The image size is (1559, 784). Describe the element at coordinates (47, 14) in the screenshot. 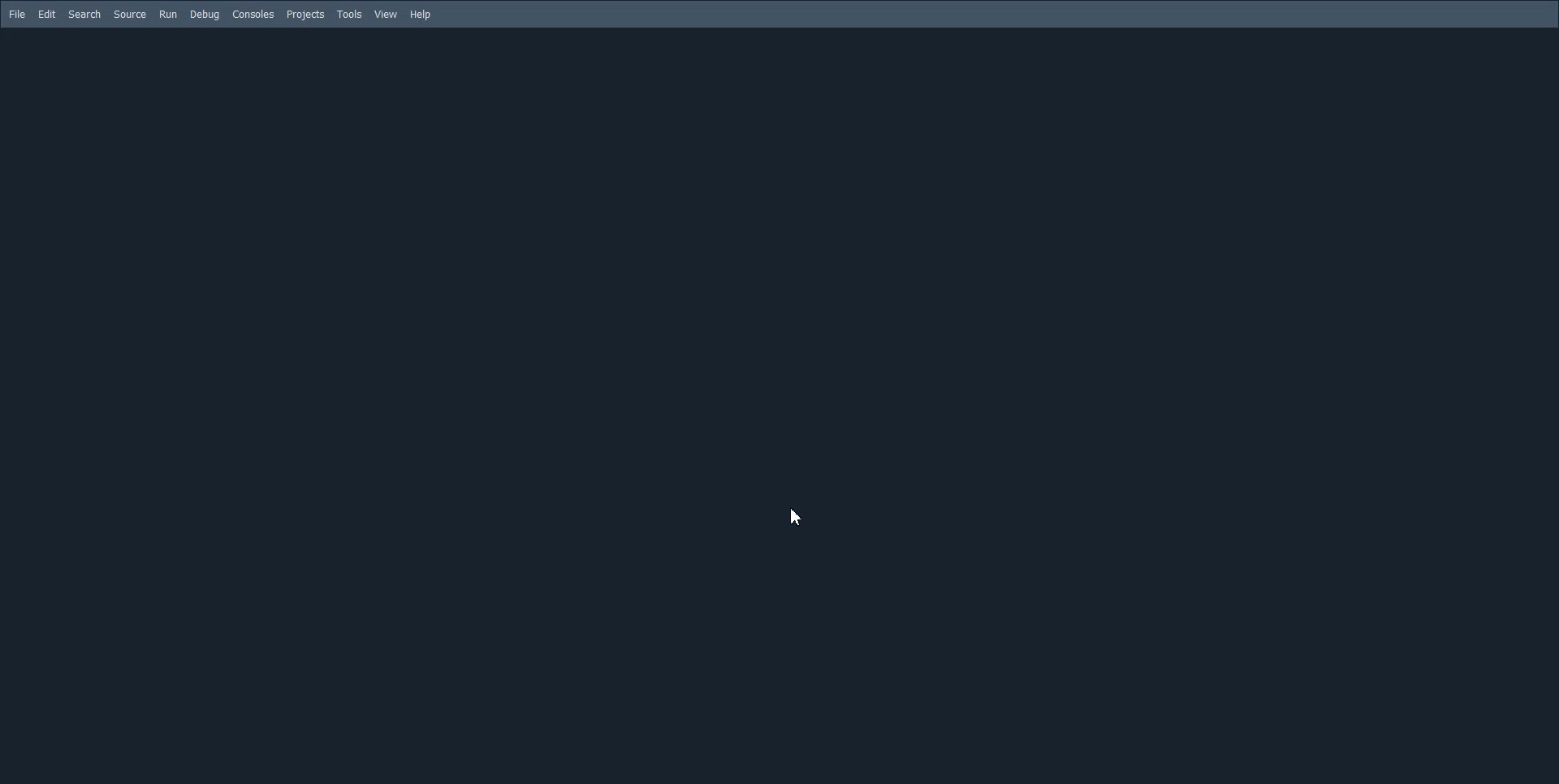

I see `Edit` at that location.